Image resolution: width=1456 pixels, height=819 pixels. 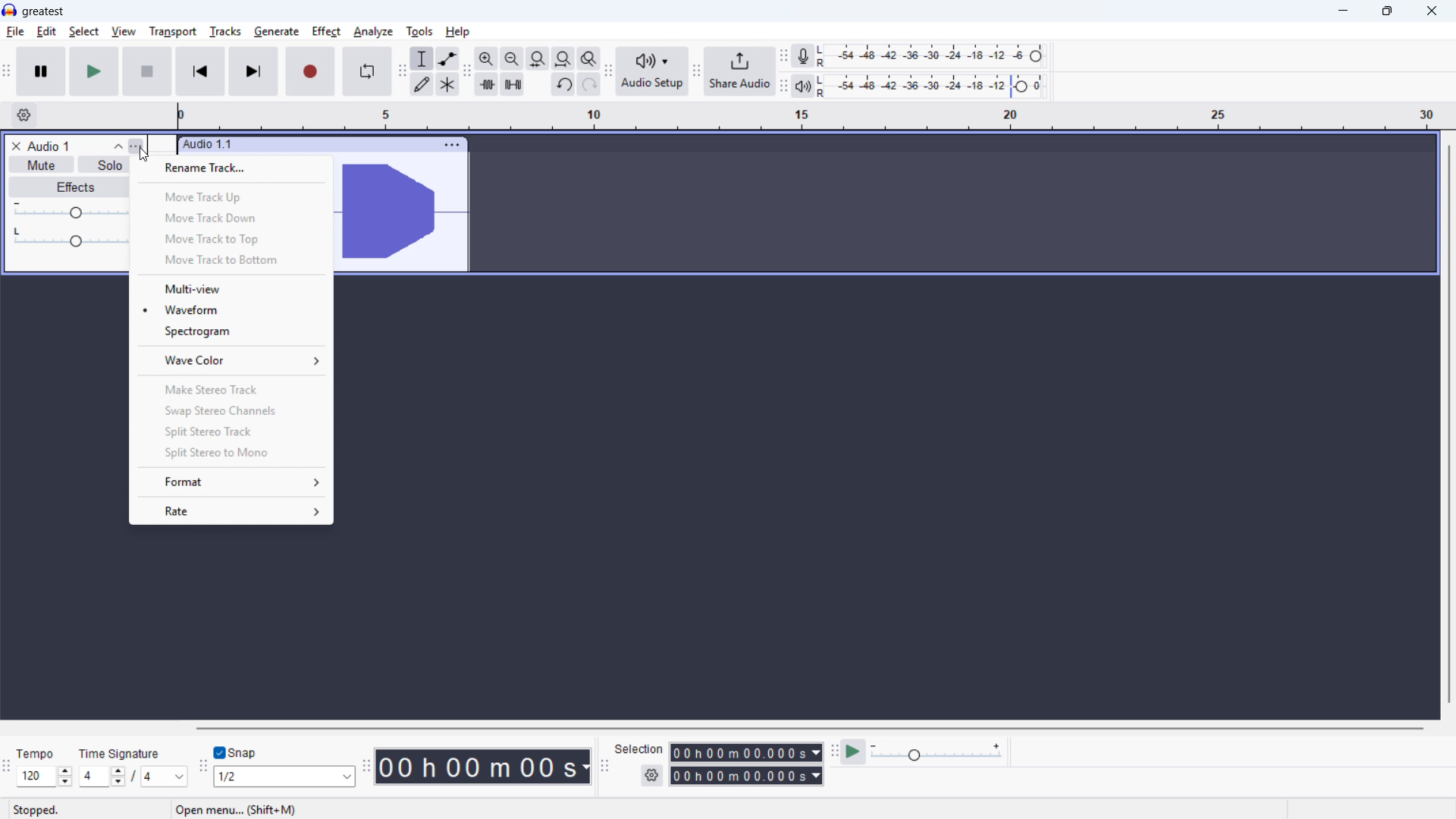 I want to click on fit selection to width, so click(x=512, y=58).